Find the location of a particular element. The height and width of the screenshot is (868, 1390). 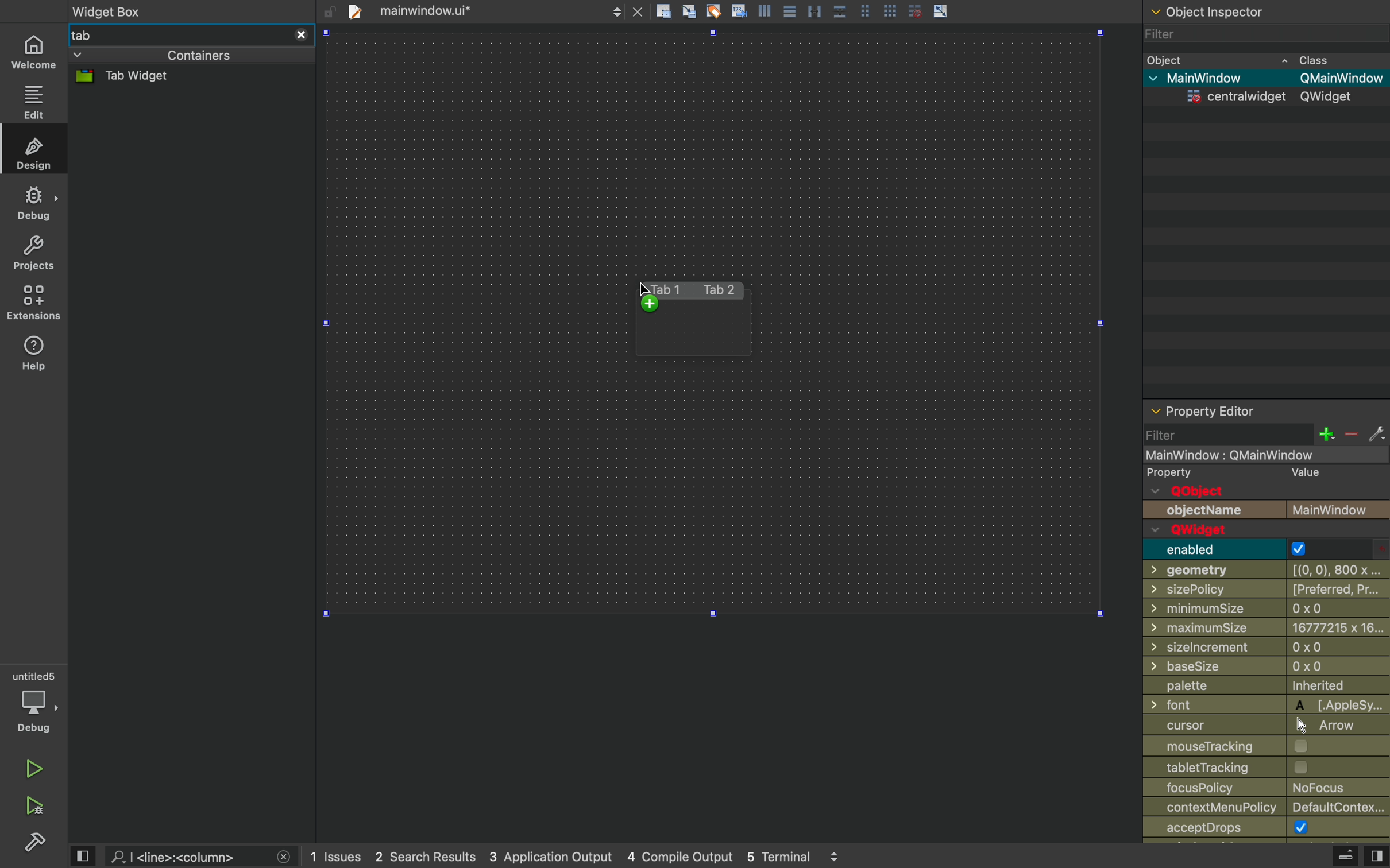

settings is located at coordinates (1376, 434).